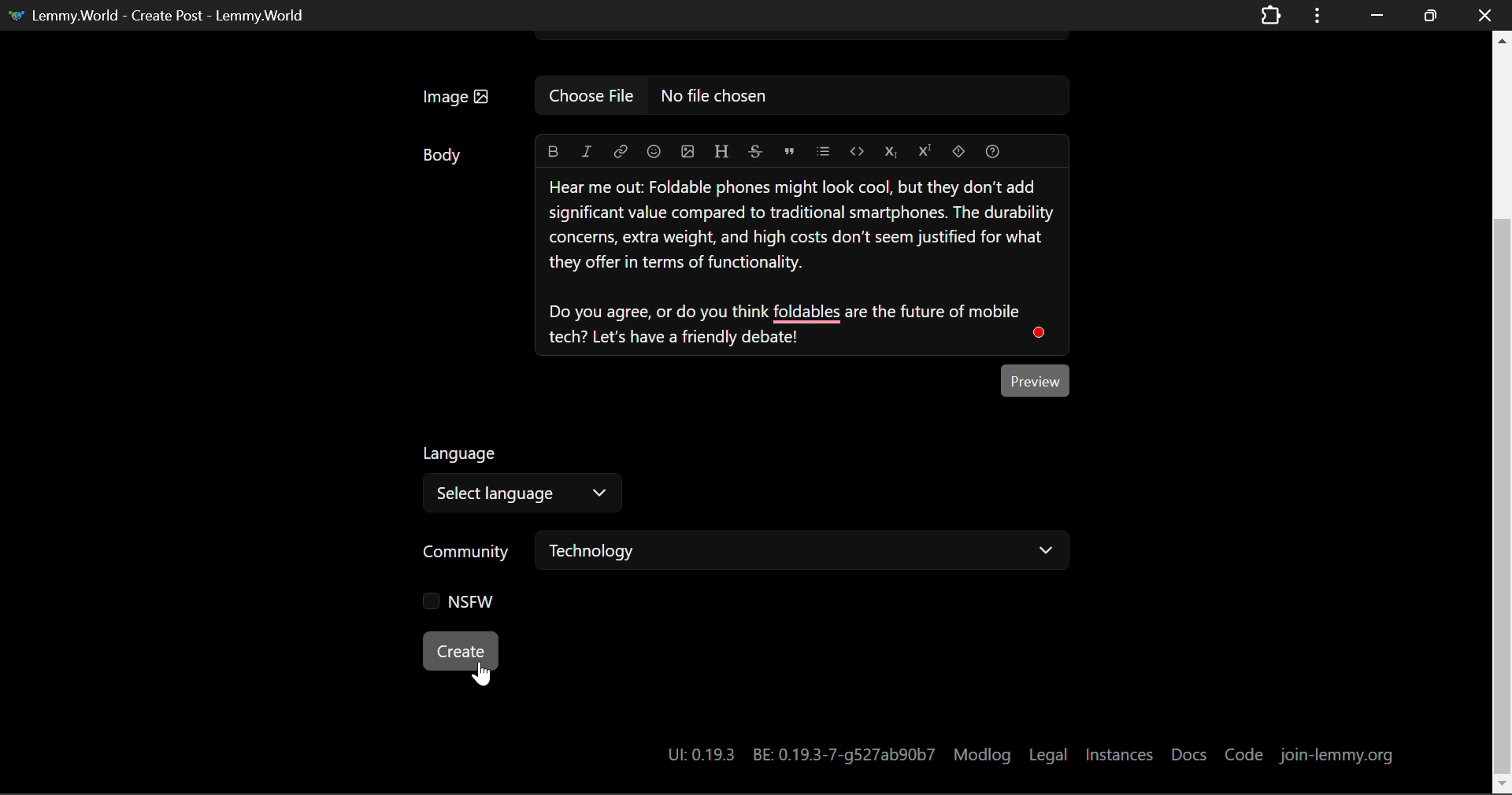 The width and height of the screenshot is (1512, 795). What do you see at coordinates (1121, 751) in the screenshot?
I see `Instances` at bounding box center [1121, 751].